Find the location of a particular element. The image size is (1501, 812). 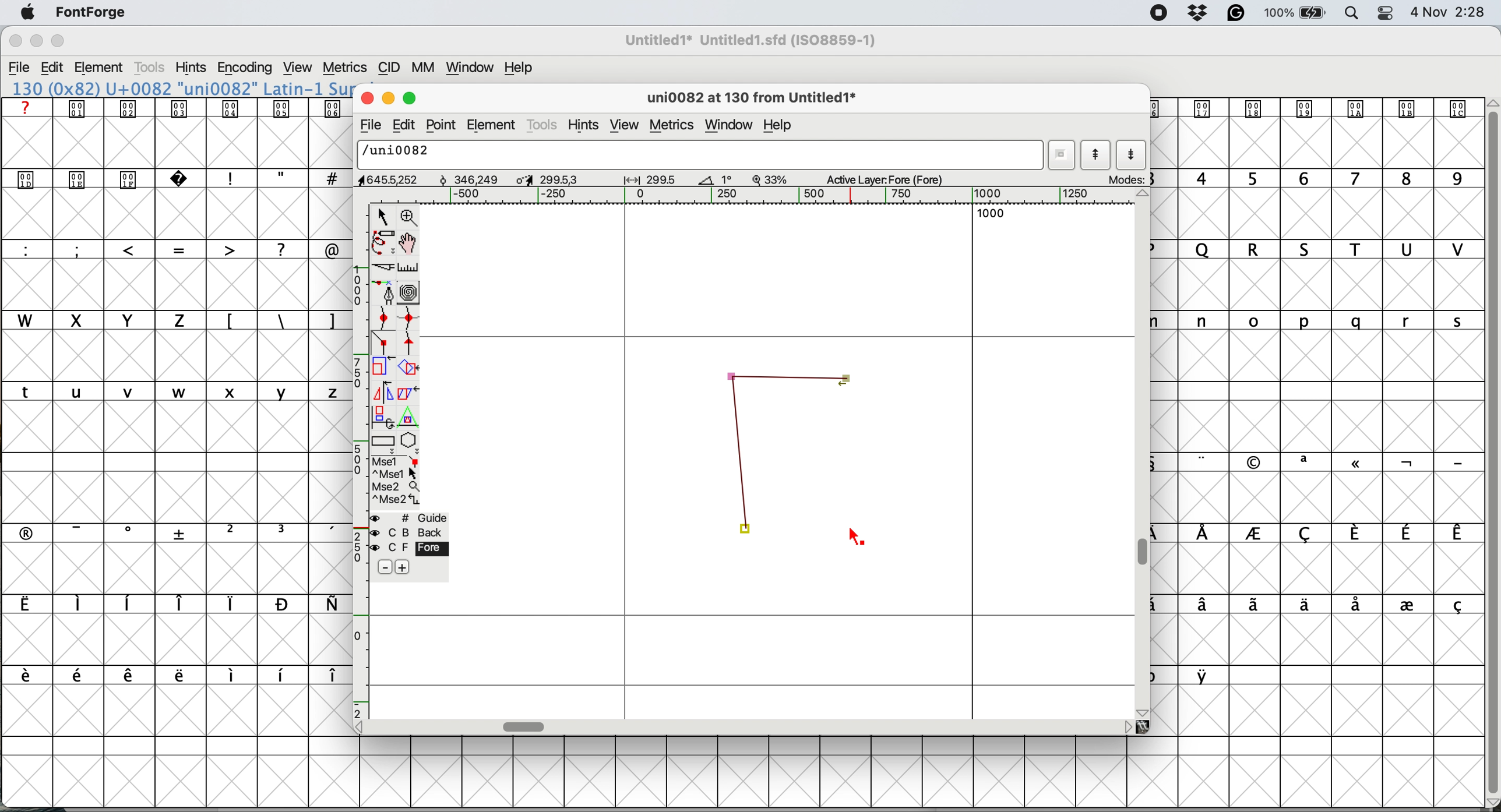

dropbox is located at coordinates (1200, 12).